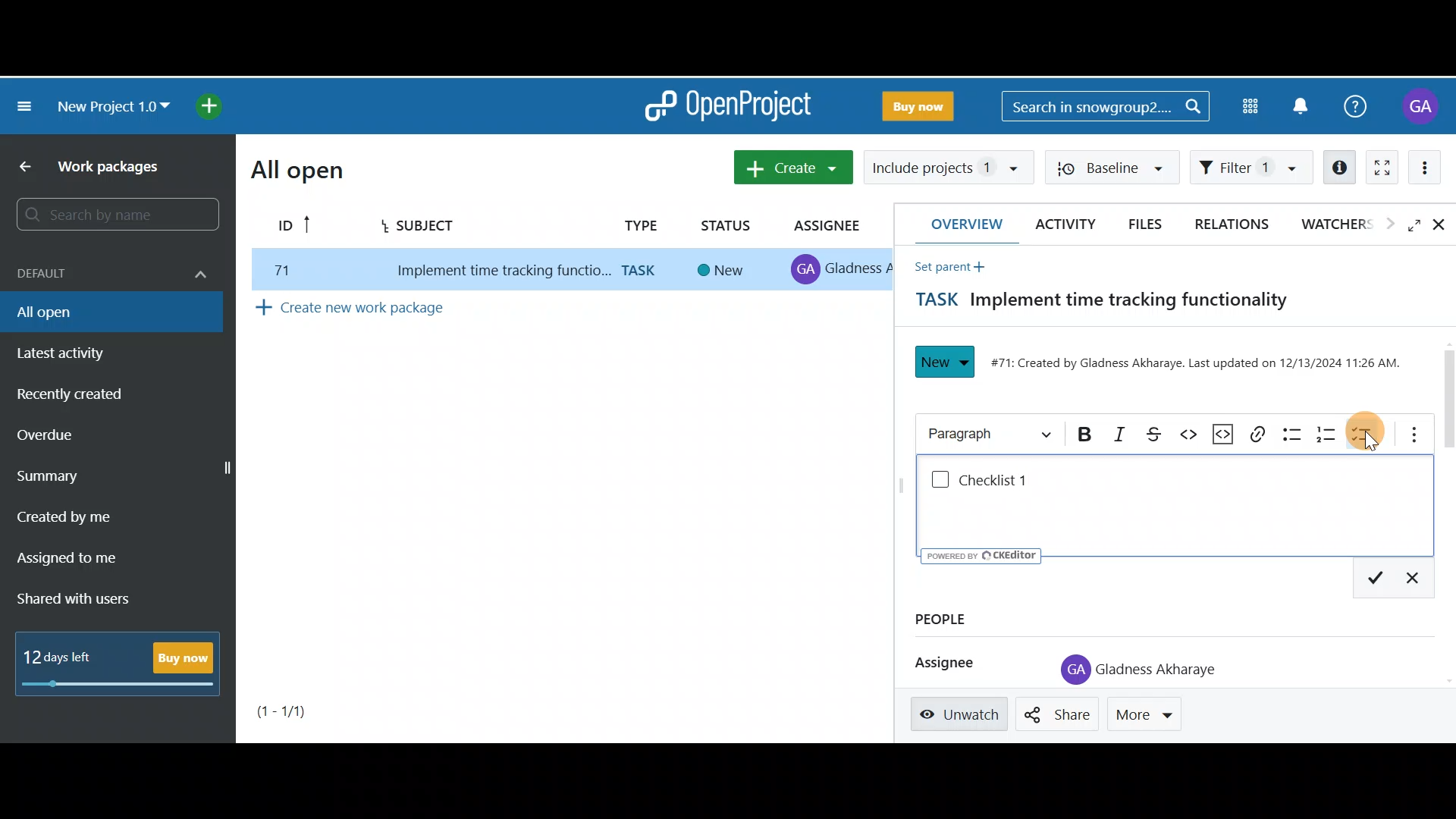 The width and height of the screenshot is (1456, 819). What do you see at coordinates (988, 430) in the screenshot?
I see `Heading` at bounding box center [988, 430].